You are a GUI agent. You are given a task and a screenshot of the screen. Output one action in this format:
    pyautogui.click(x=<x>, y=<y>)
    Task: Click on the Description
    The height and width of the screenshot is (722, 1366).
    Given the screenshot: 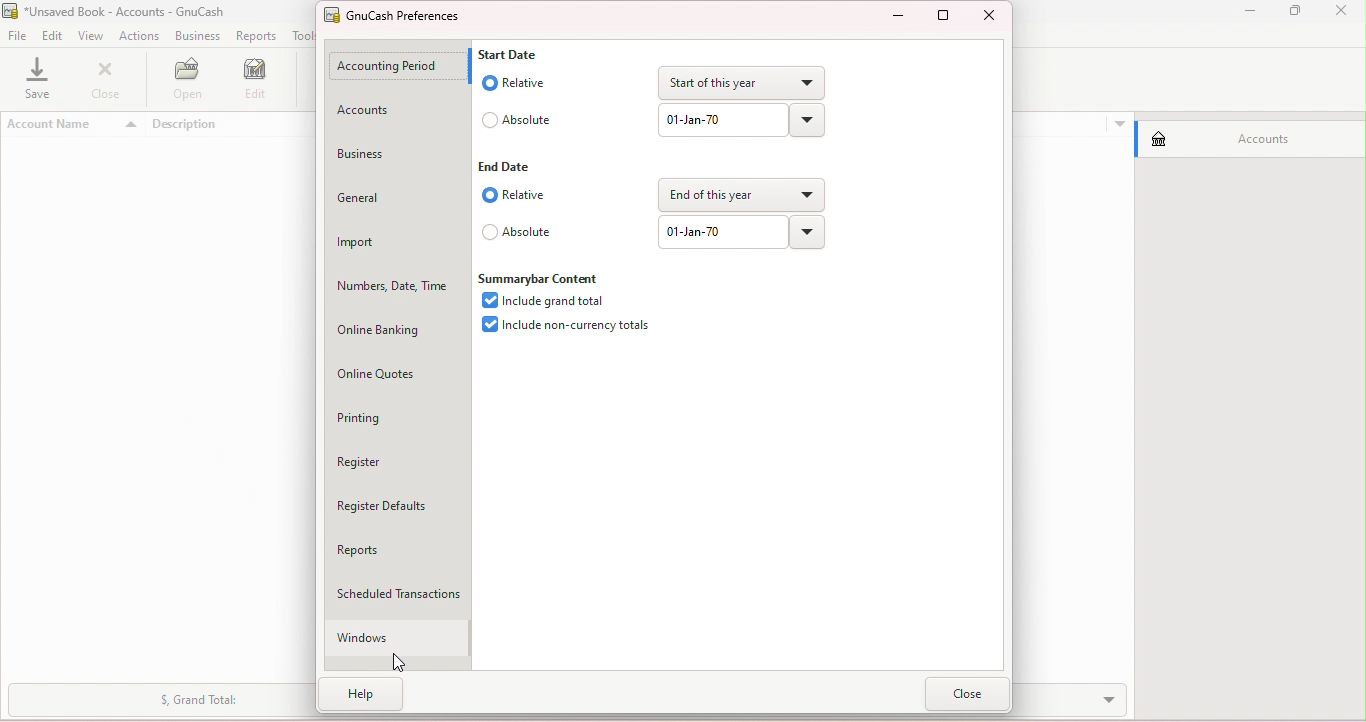 What is the action you would take?
    pyautogui.click(x=231, y=125)
    